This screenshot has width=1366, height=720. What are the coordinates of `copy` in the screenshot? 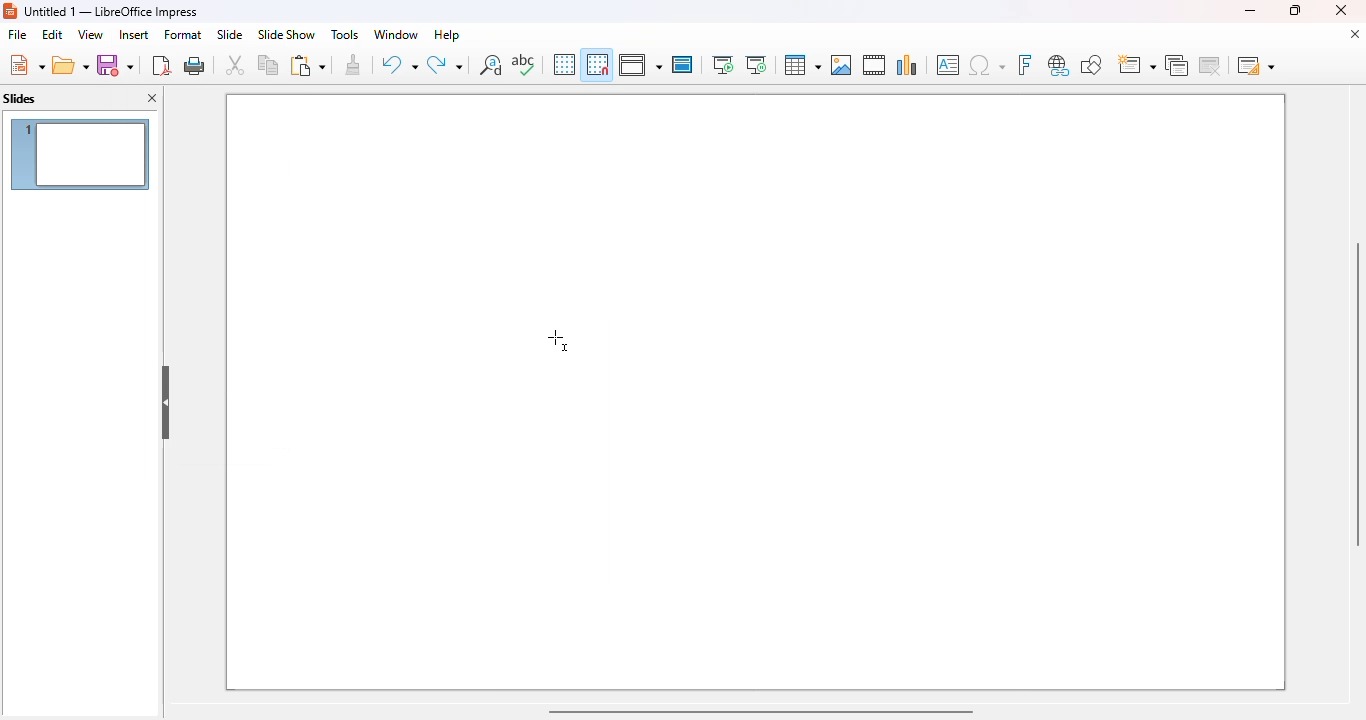 It's located at (268, 64).